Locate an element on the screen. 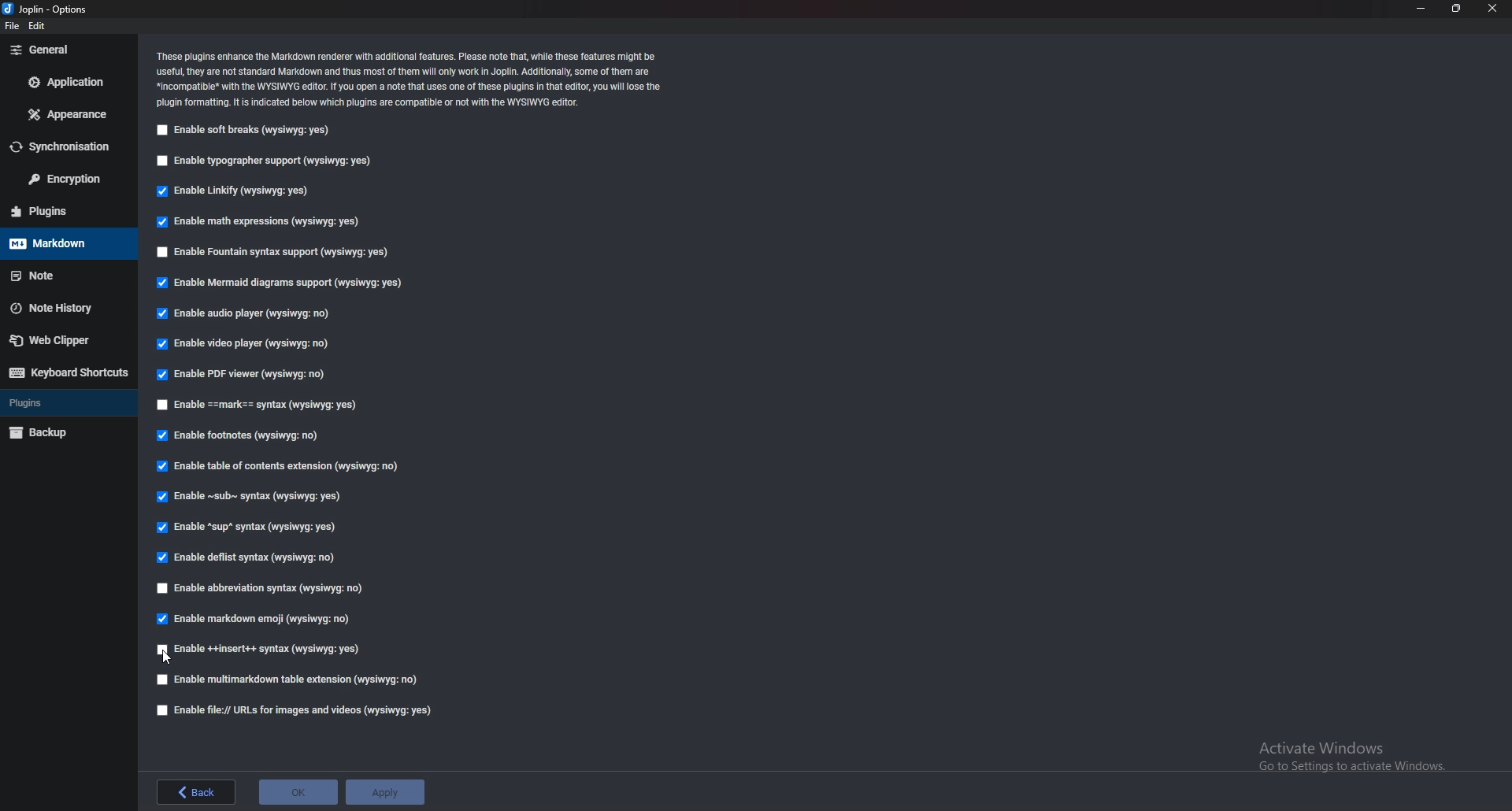  note is located at coordinates (59, 276).